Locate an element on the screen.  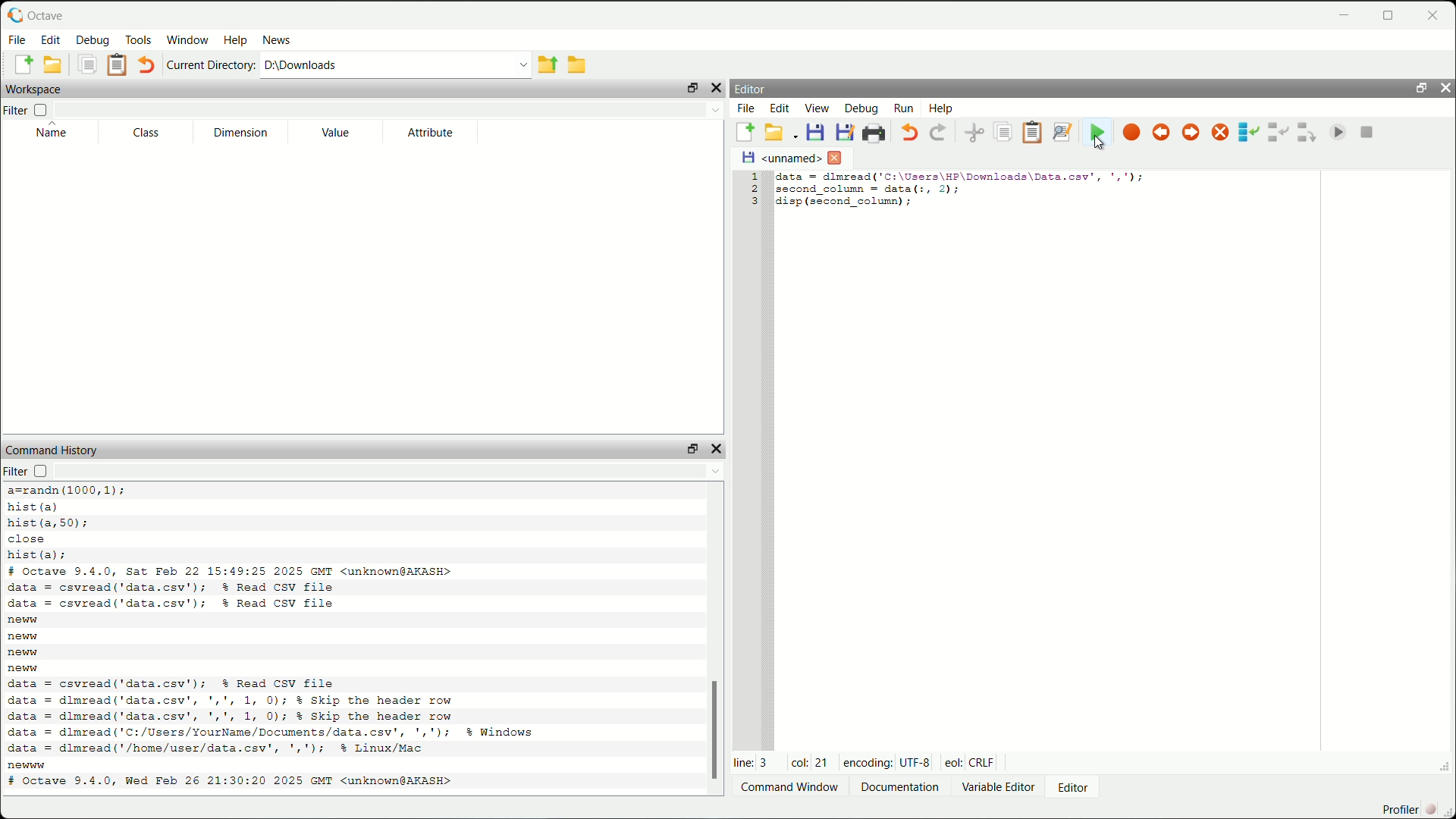
edit is located at coordinates (781, 111).